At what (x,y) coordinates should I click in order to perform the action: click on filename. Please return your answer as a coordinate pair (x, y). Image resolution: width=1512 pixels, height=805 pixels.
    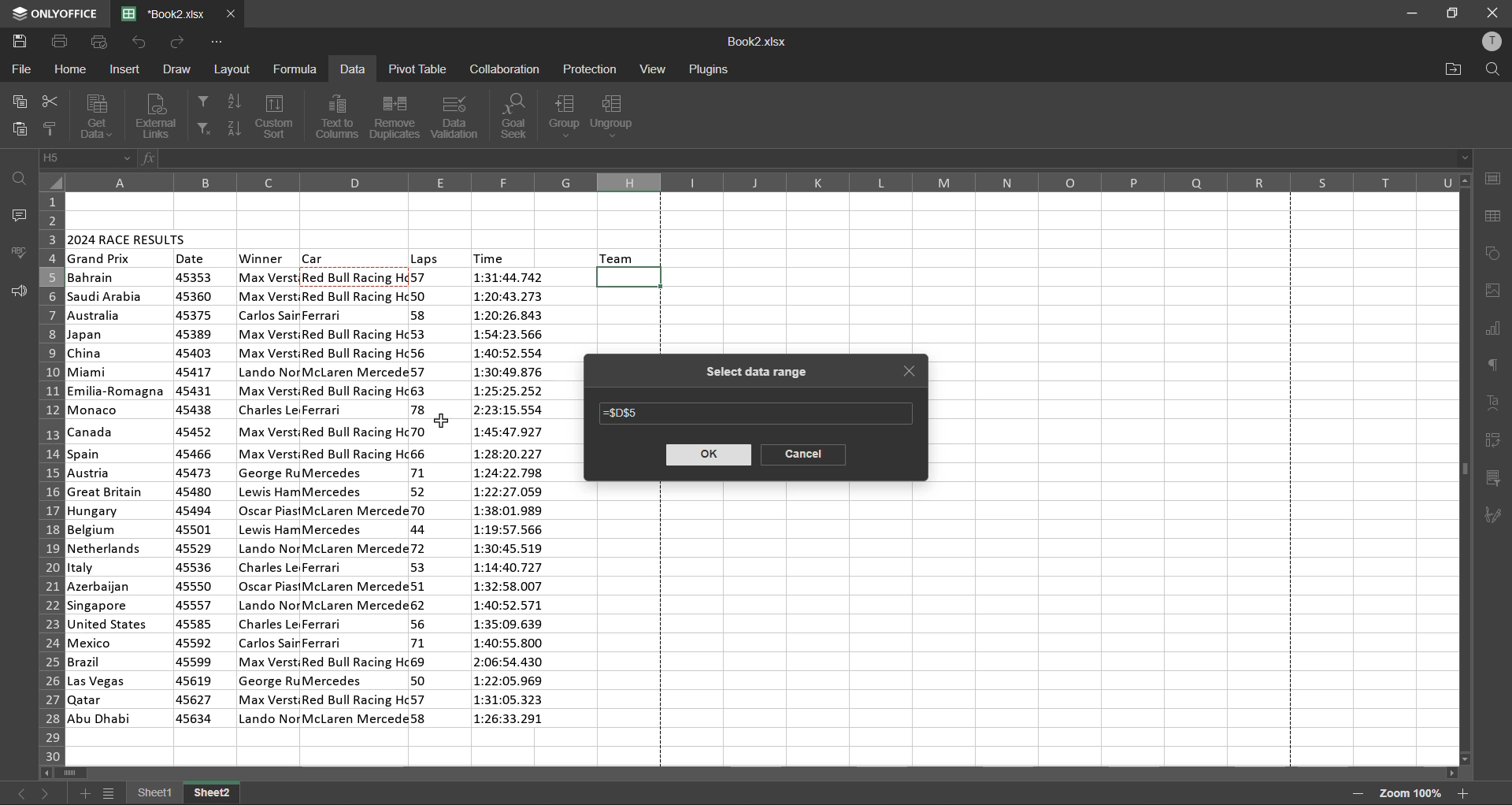
    Looking at the image, I should click on (757, 43).